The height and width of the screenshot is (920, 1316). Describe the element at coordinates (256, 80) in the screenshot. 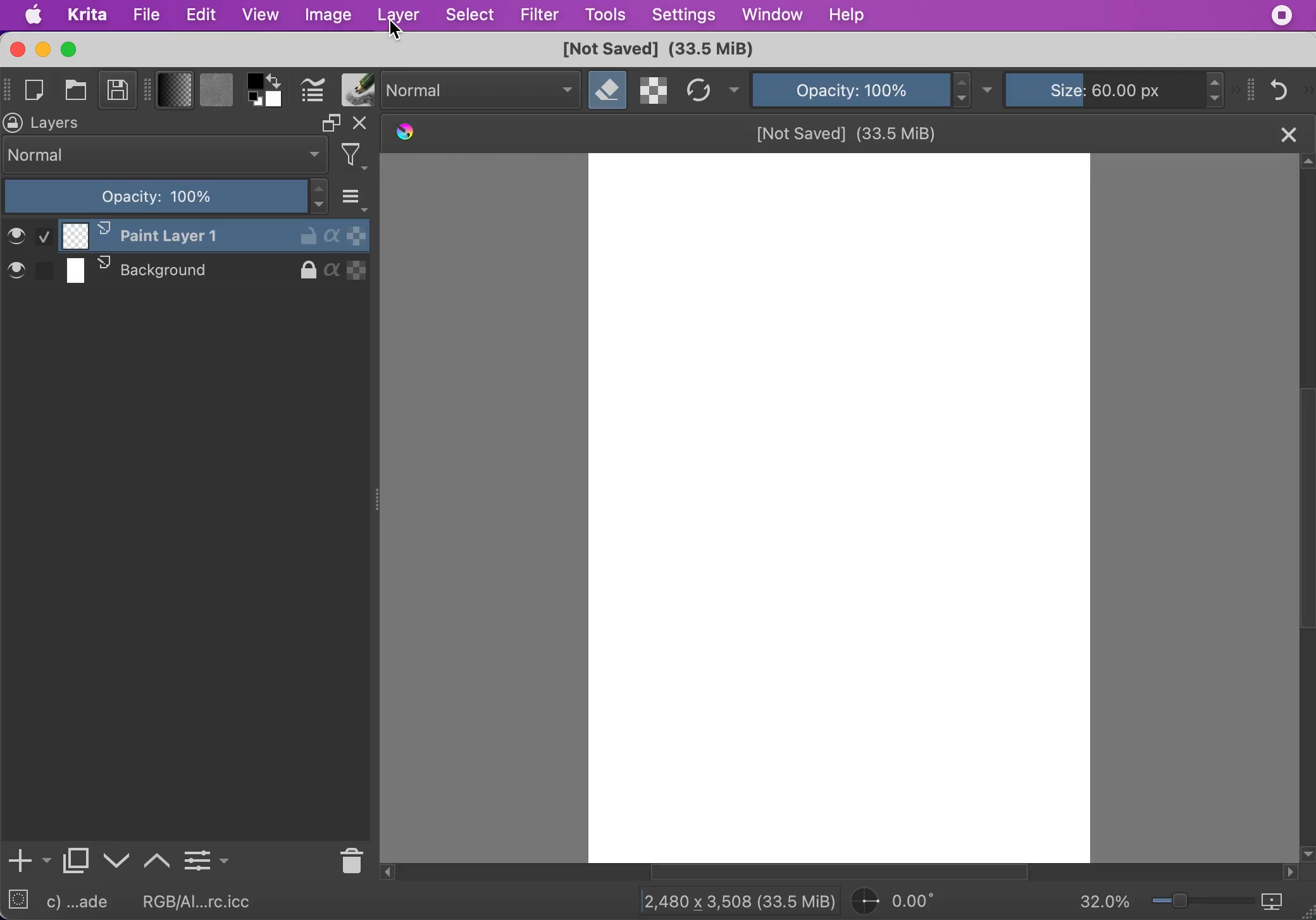

I see `set foreground color` at that location.